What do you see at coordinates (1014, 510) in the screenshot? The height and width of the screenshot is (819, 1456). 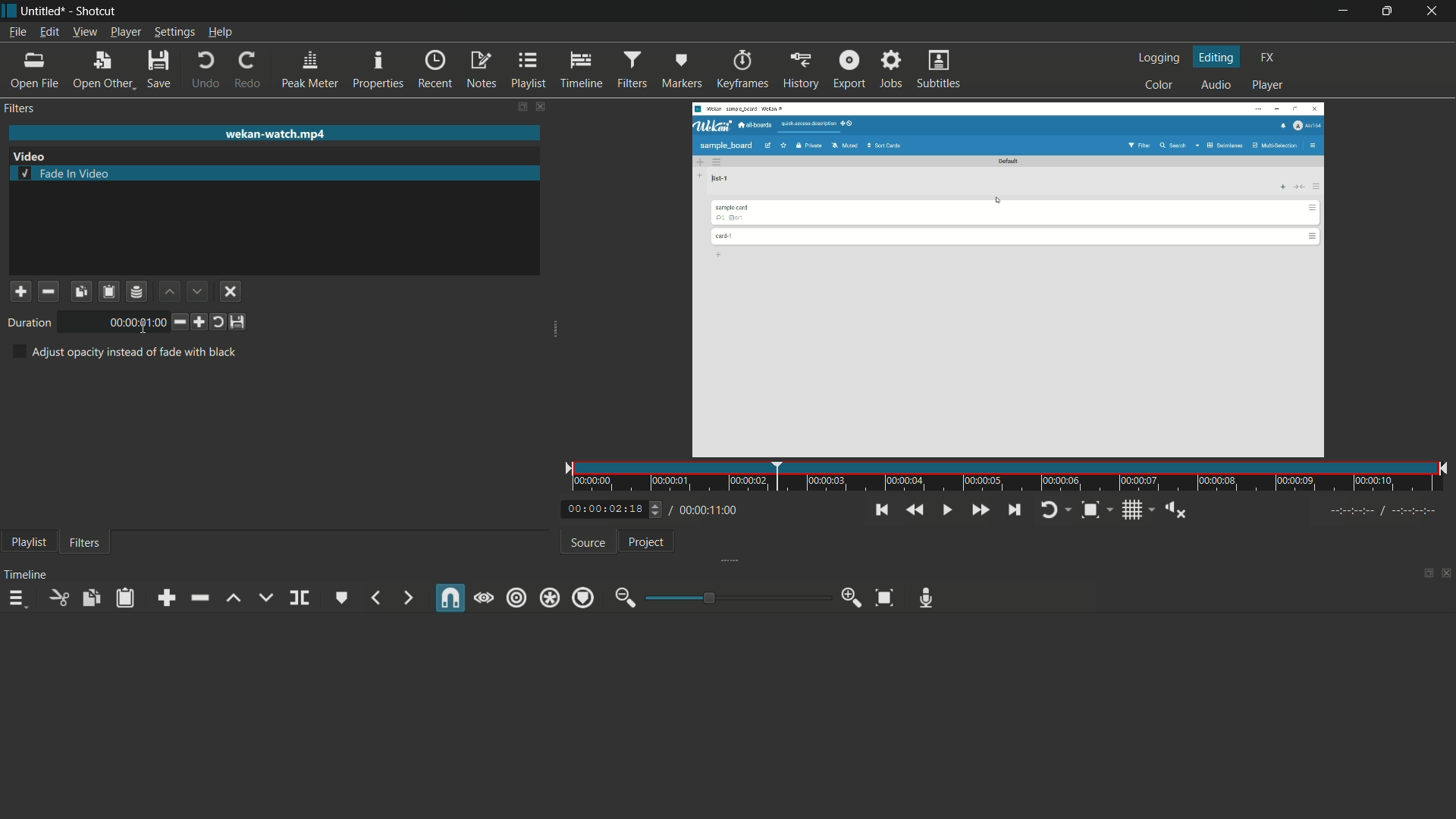 I see `skip to the next point` at bounding box center [1014, 510].